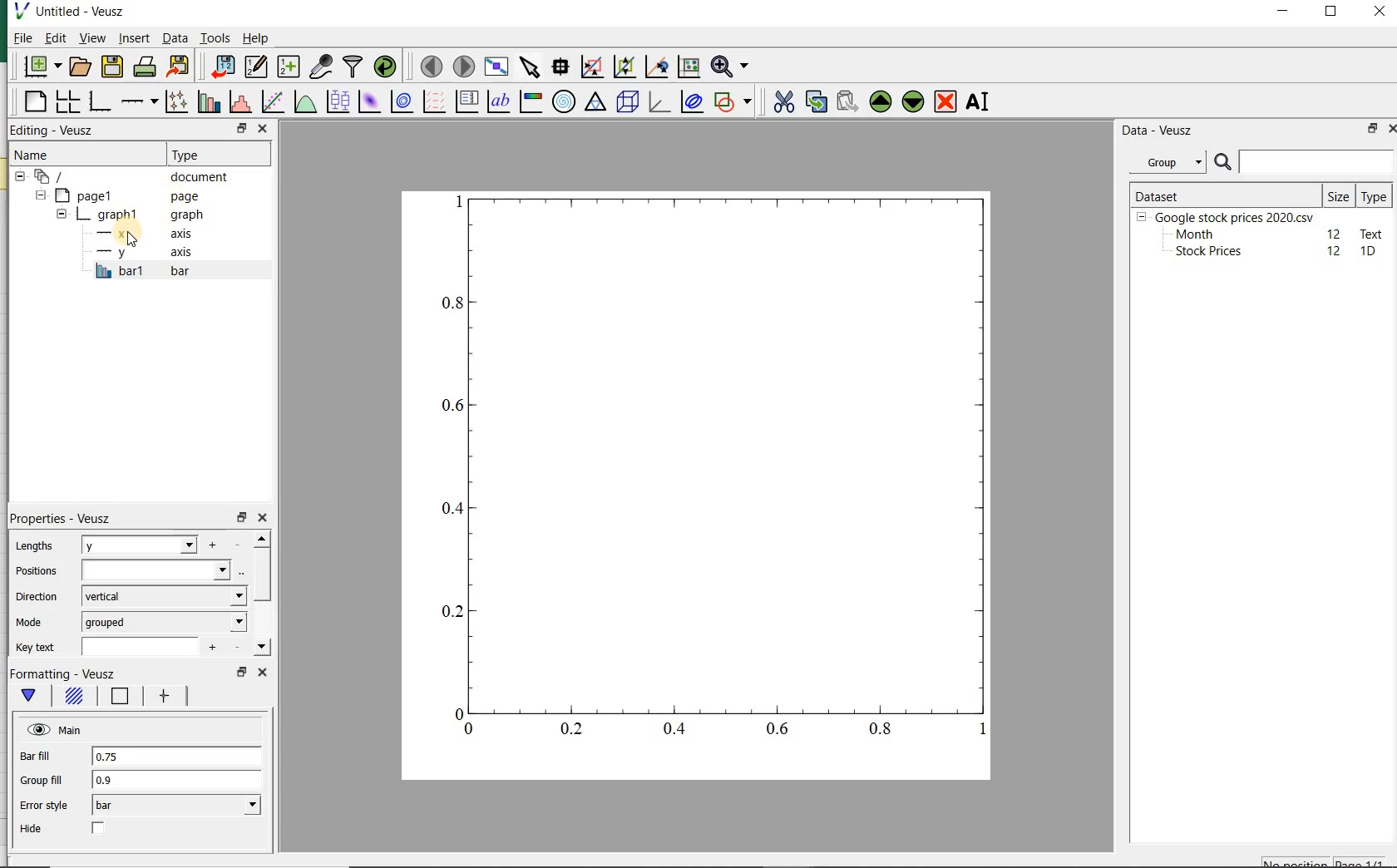 The width and height of the screenshot is (1397, 868). Describe the element at coordinates (18, 40) in the screenshot. I see `File` at that location.